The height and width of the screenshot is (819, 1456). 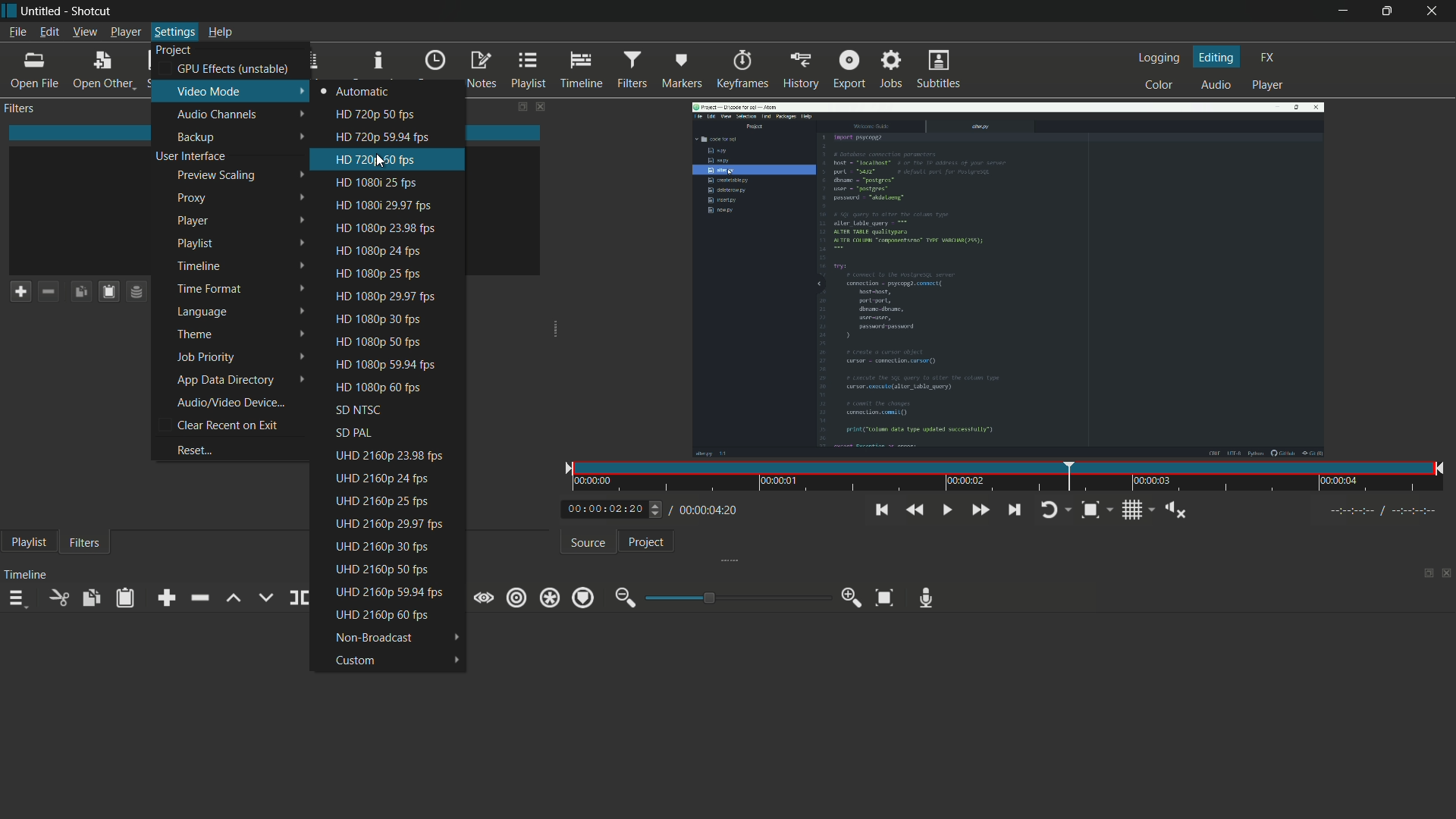 What do you see at coordinates (240, 380) in the screenshot?
I see `app data directory` at bounding box center [240, 380].